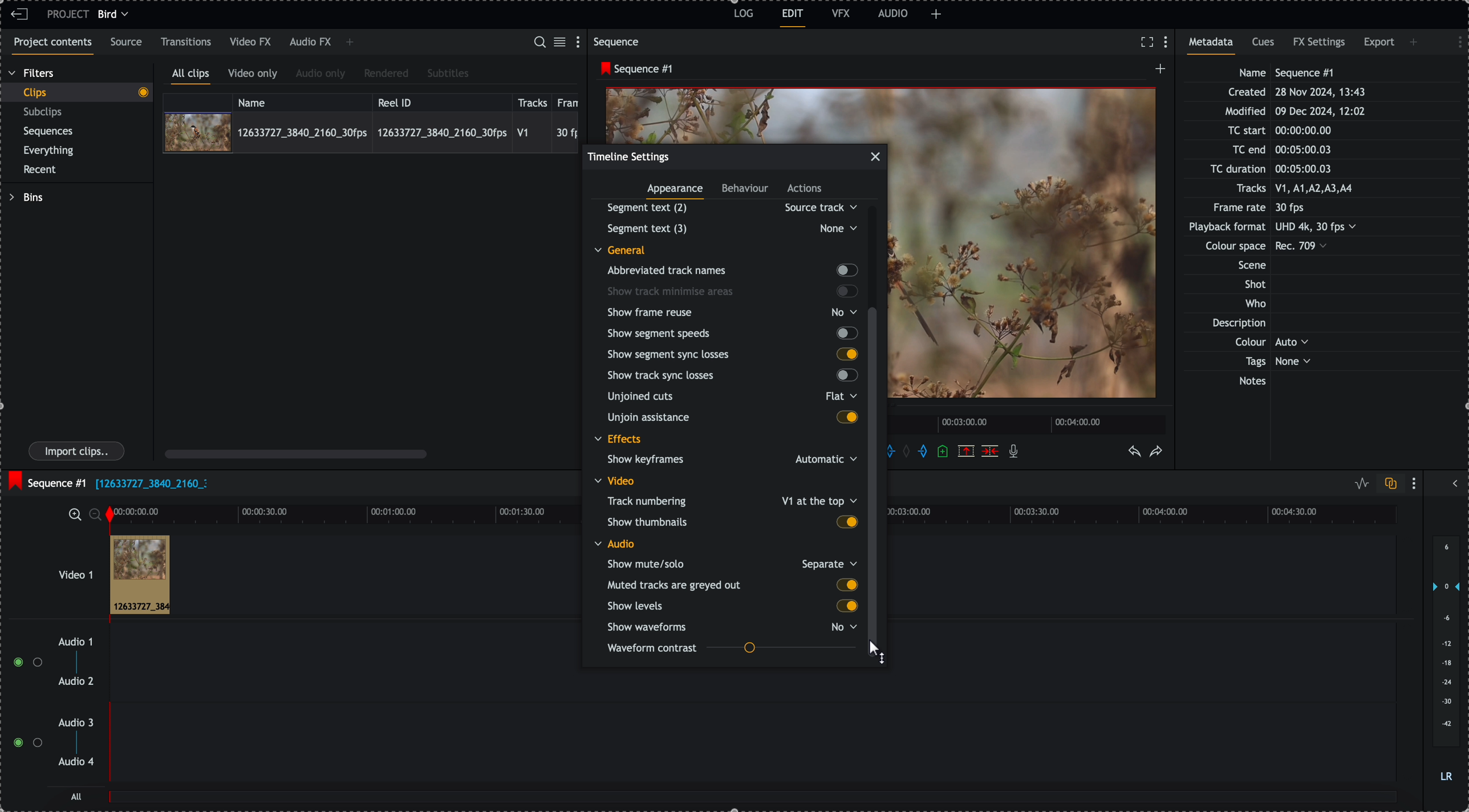  I want to click on track audio, so click(752, 749).